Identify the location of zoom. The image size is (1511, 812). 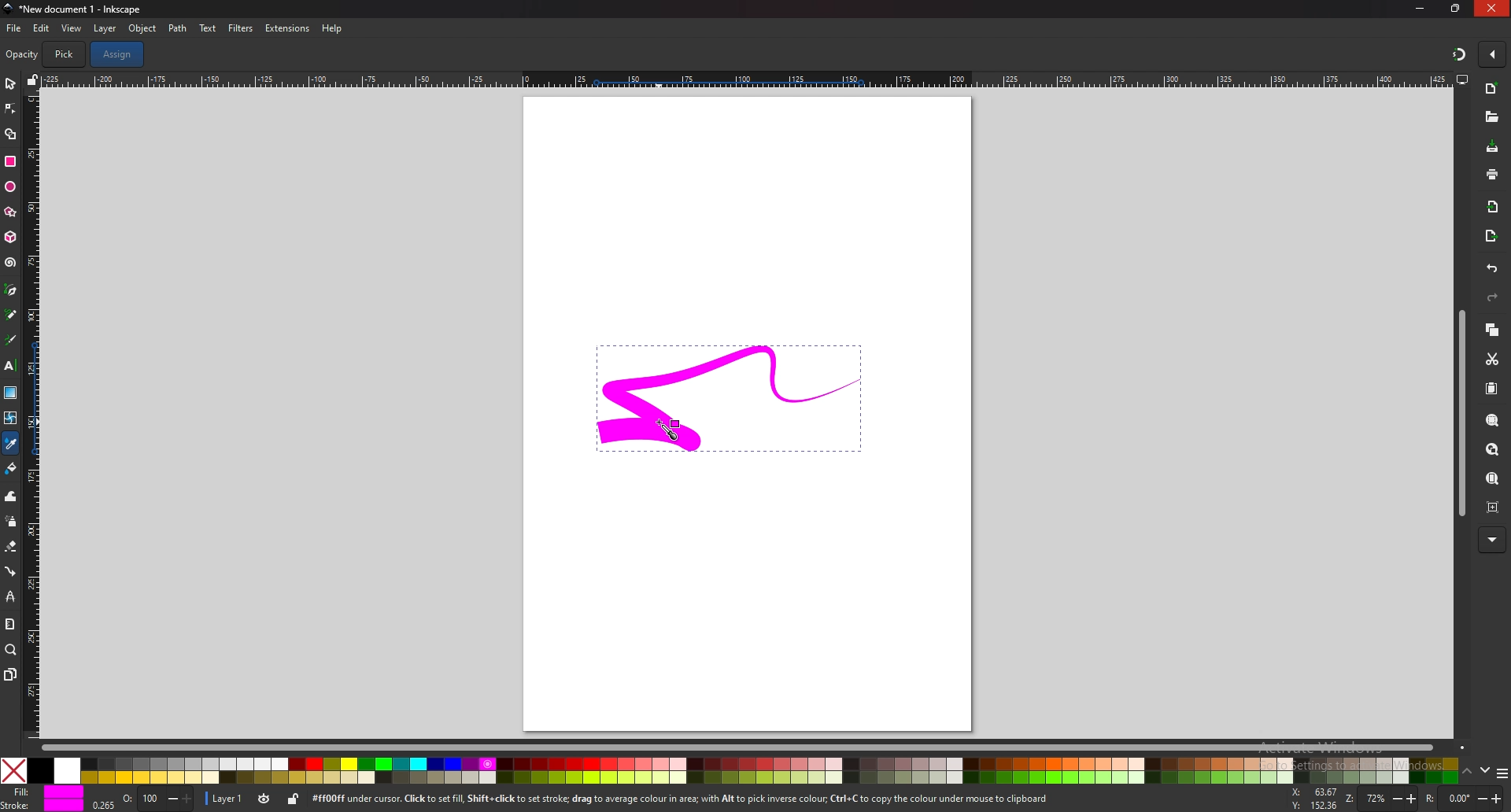
(1380, 799).